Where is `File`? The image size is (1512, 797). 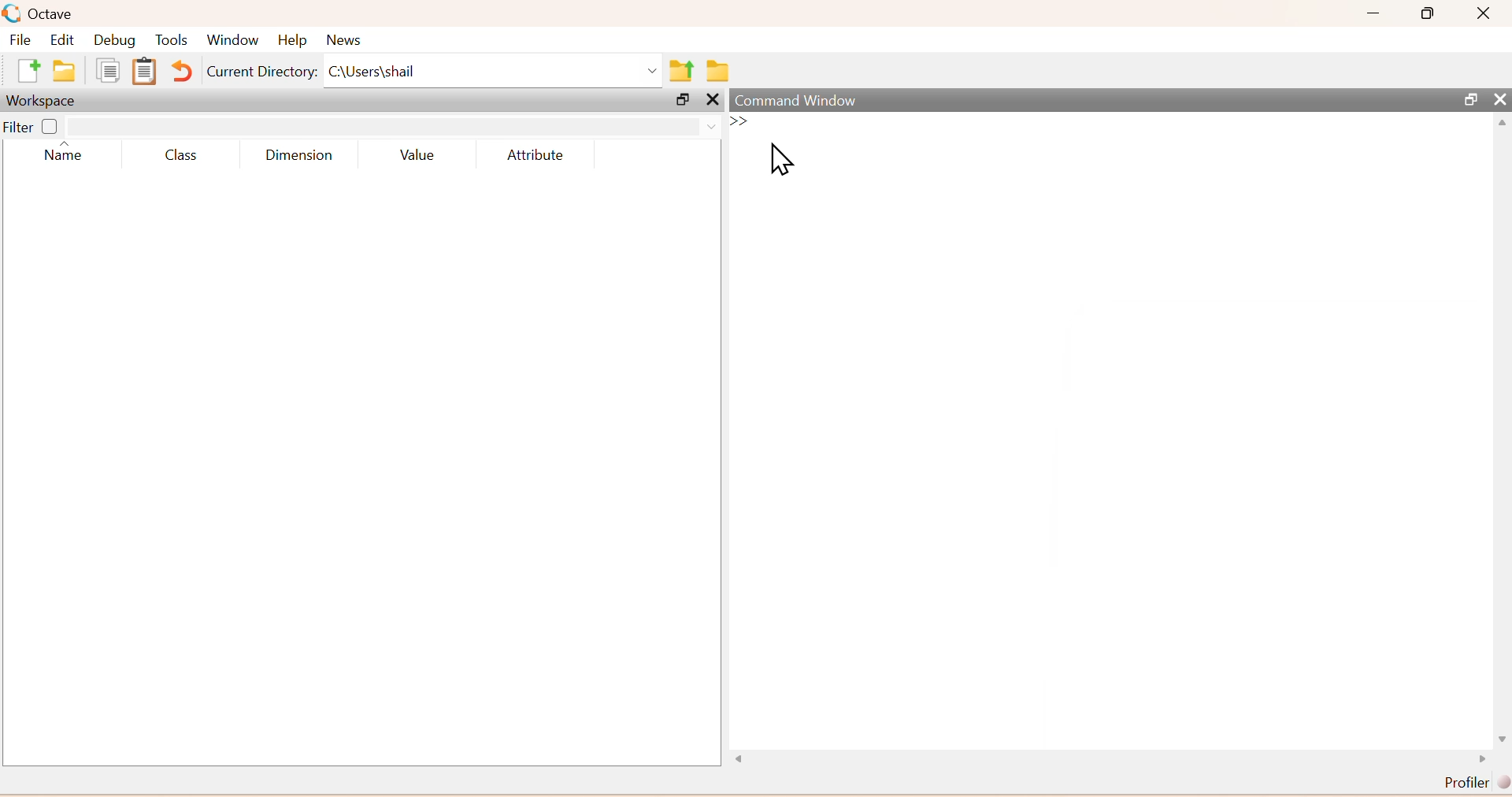 File is located at coordinates (23, 40).